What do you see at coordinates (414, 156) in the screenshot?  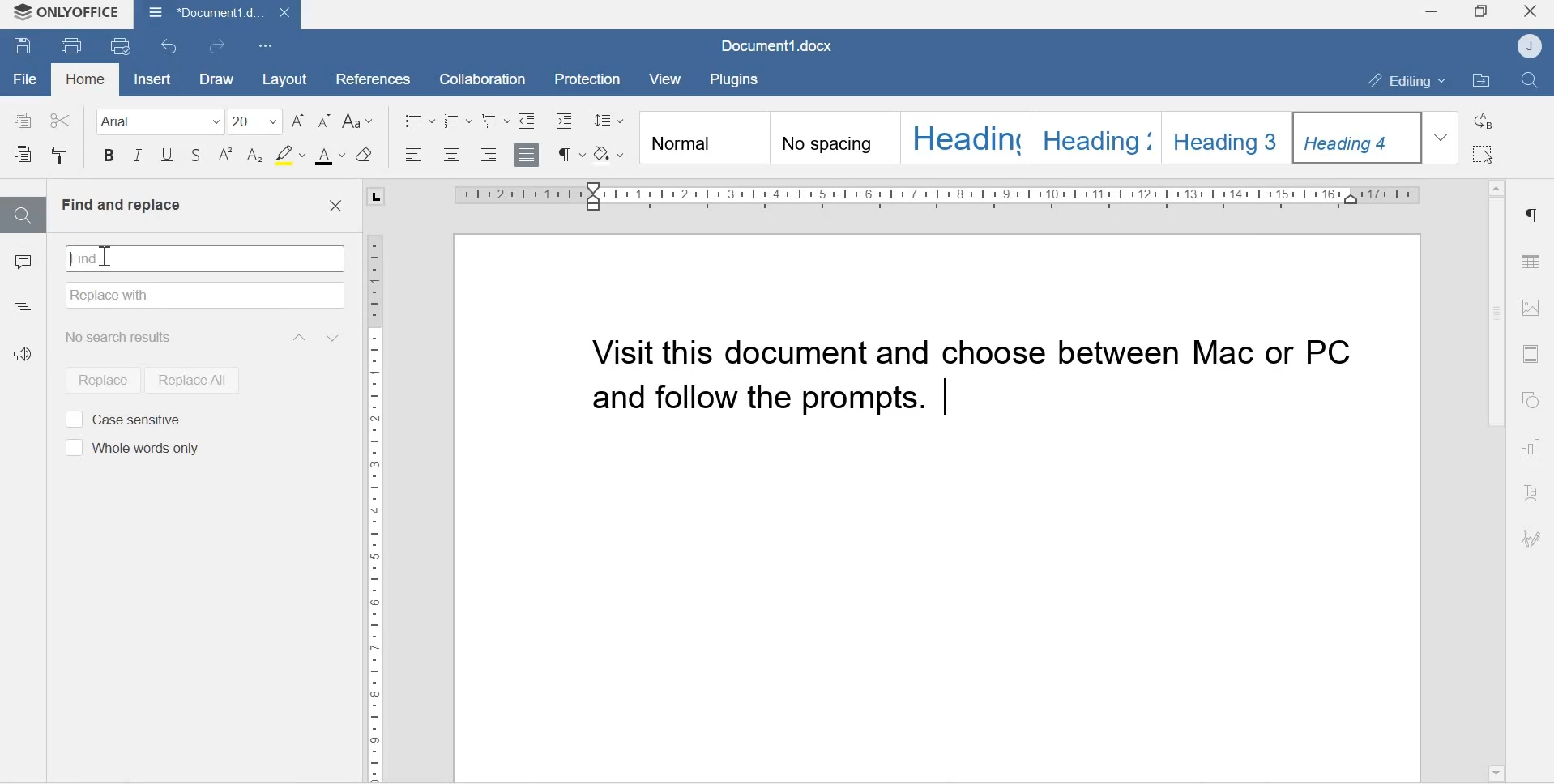 I see `Align left` at bounding box center [414, 156].